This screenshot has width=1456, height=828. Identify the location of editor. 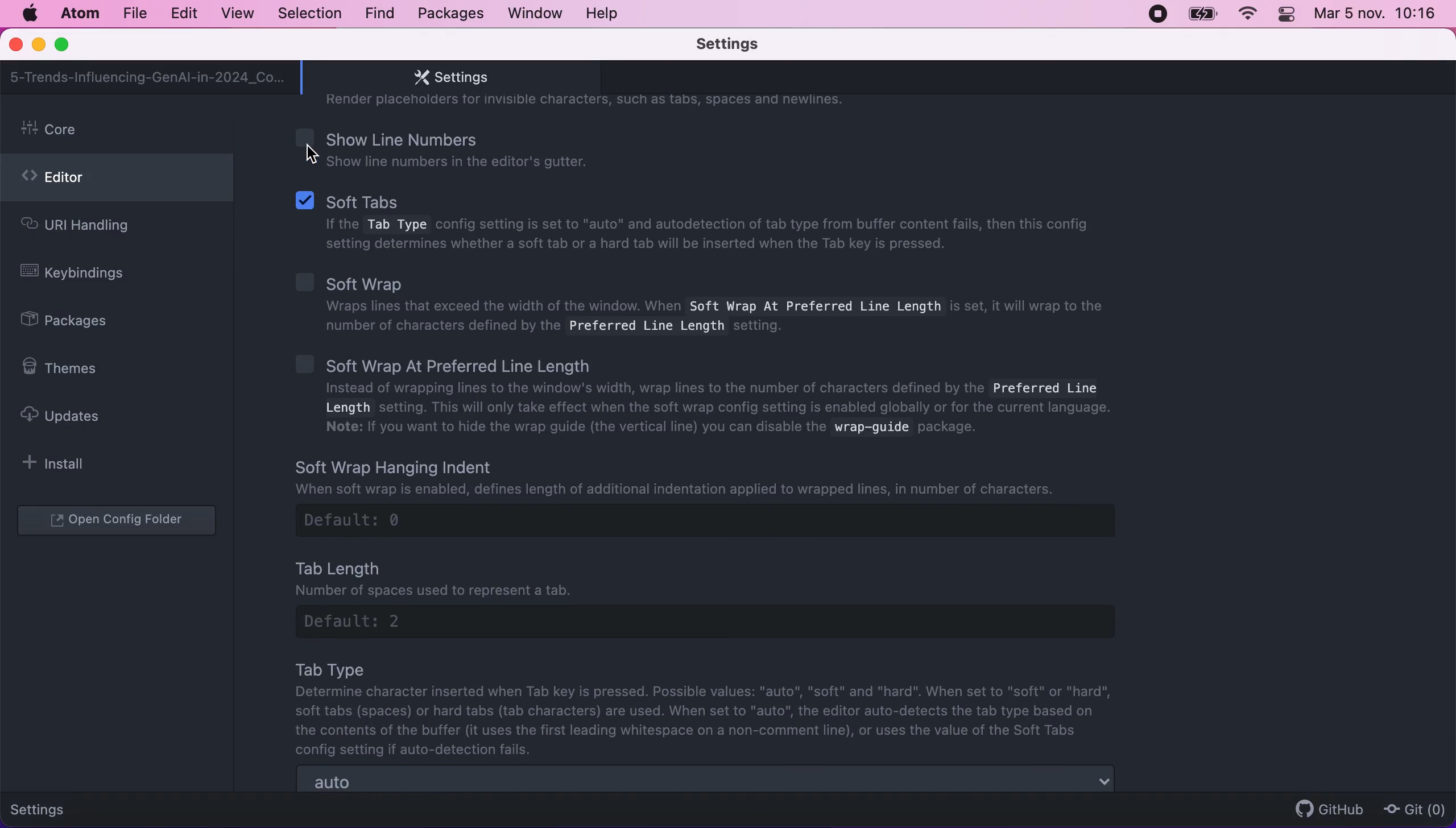
(117, 181).